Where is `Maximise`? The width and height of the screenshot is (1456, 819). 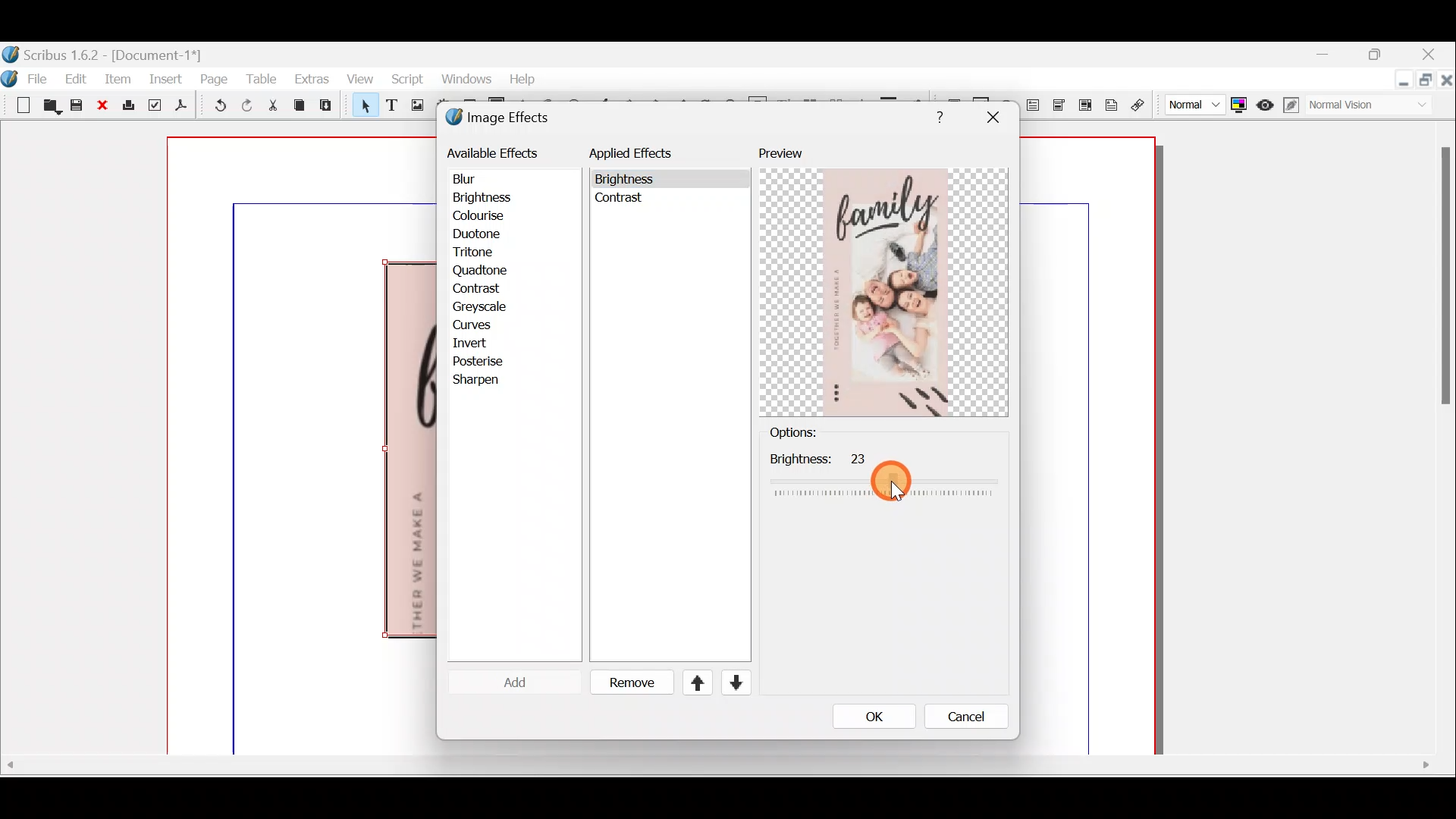
Maximise is located at coordinates (1427, 83).